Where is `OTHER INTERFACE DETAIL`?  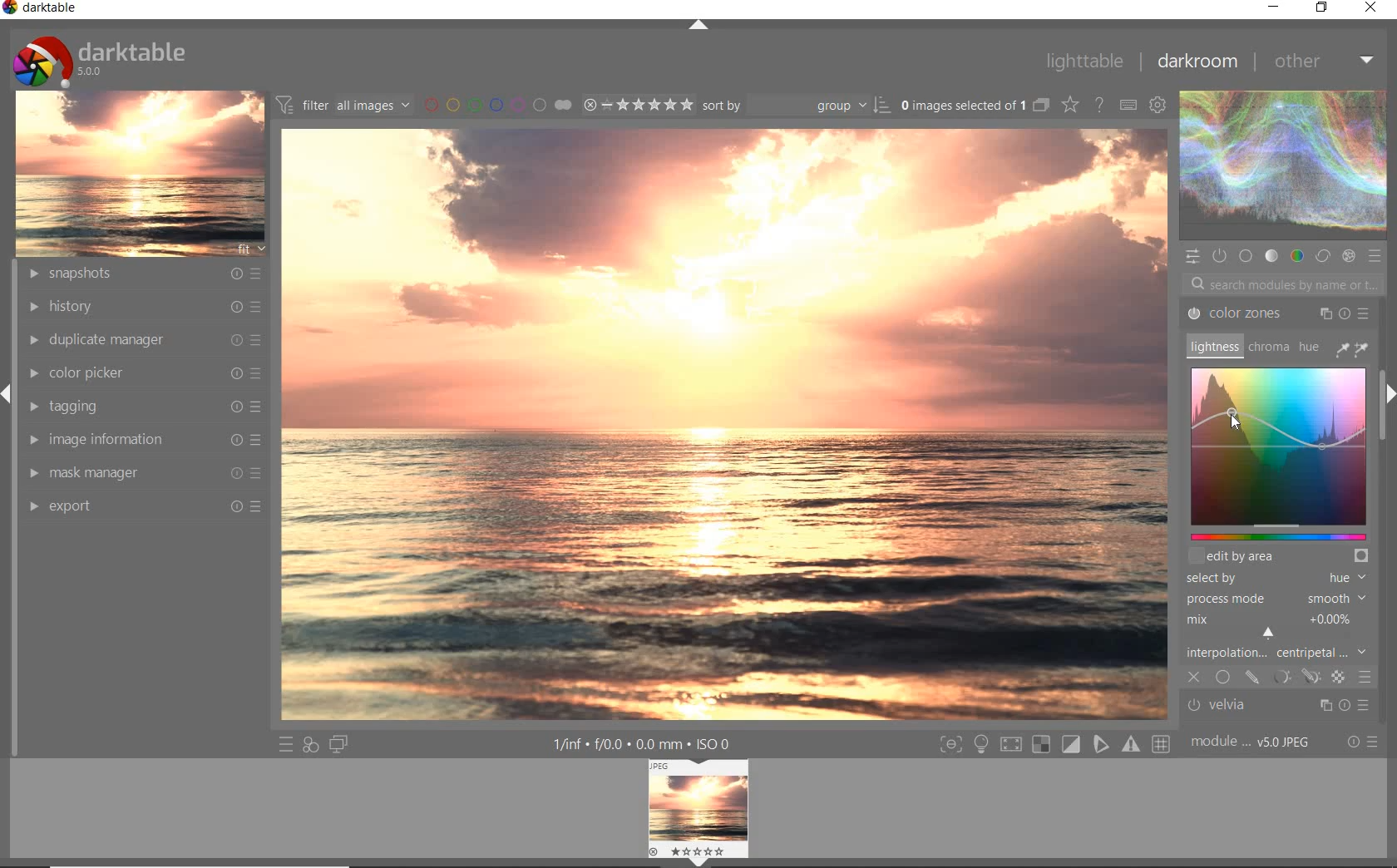 OTHER INTERFACE DETAIL is located at coordinates (645, 744).